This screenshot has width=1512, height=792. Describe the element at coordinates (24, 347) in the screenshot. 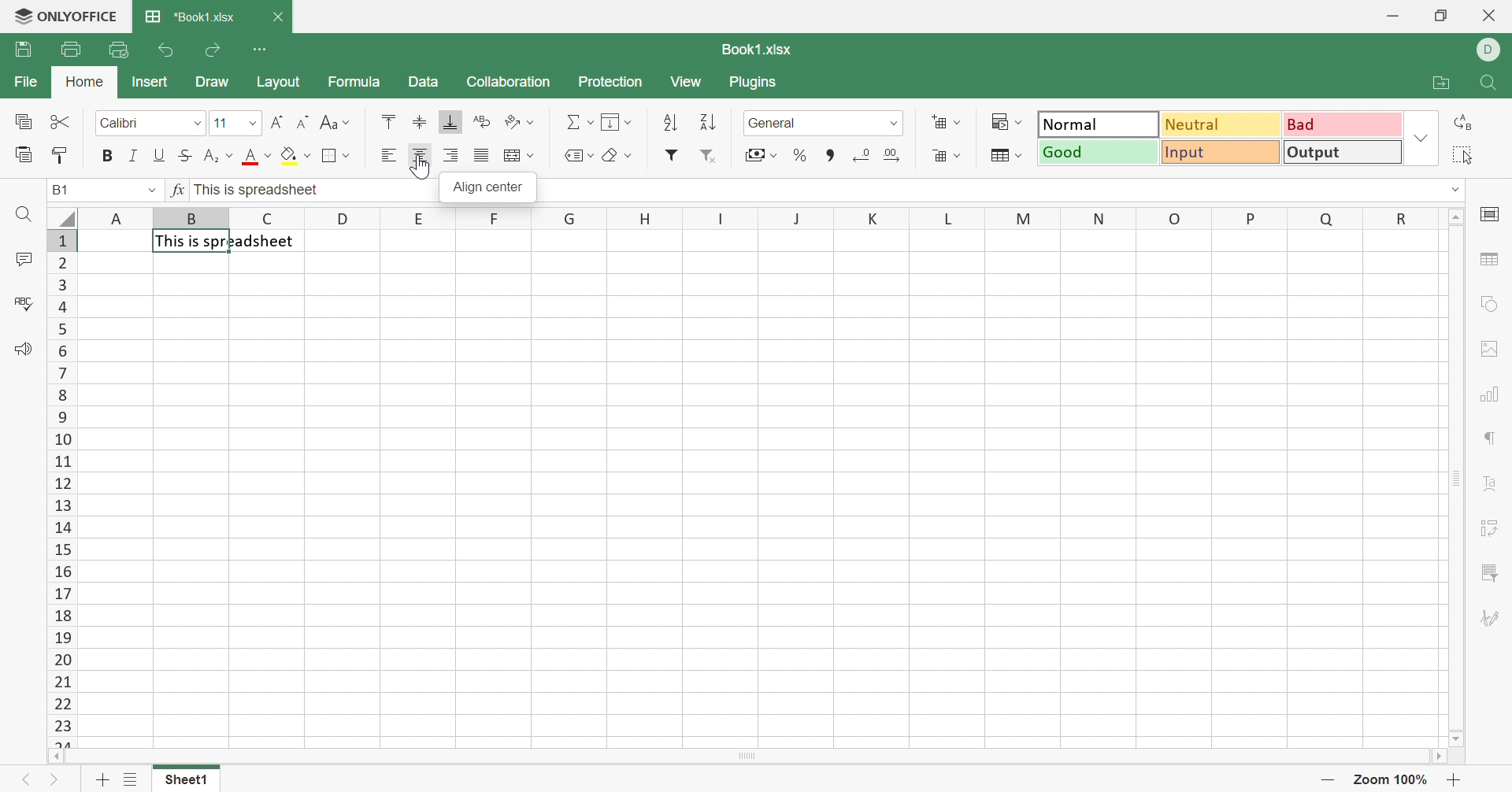

I see `Feedback & Support` at that location.